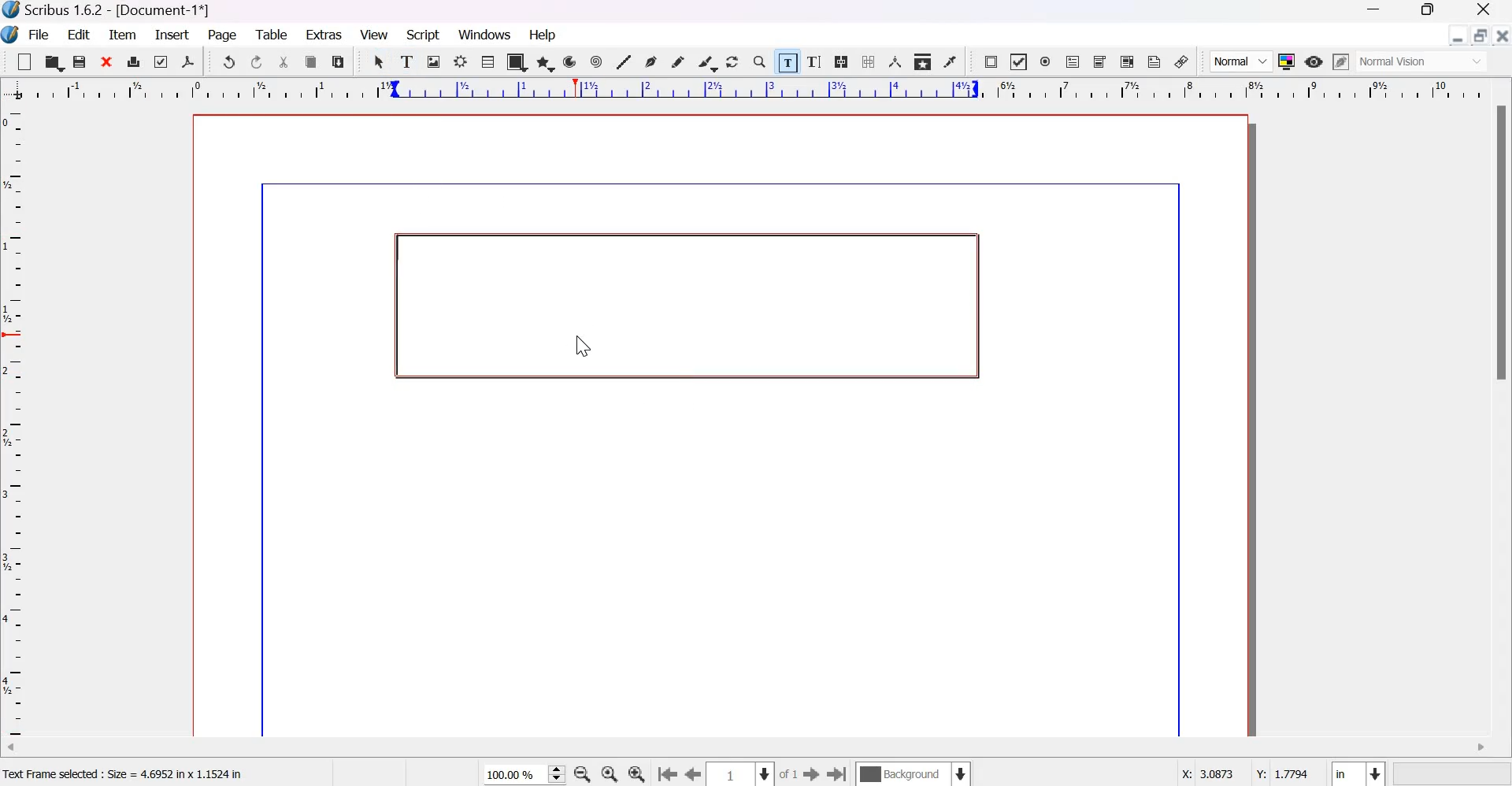  Describe the element at coordinates (570, 61) in the screenshot. I see `arc` at that location.